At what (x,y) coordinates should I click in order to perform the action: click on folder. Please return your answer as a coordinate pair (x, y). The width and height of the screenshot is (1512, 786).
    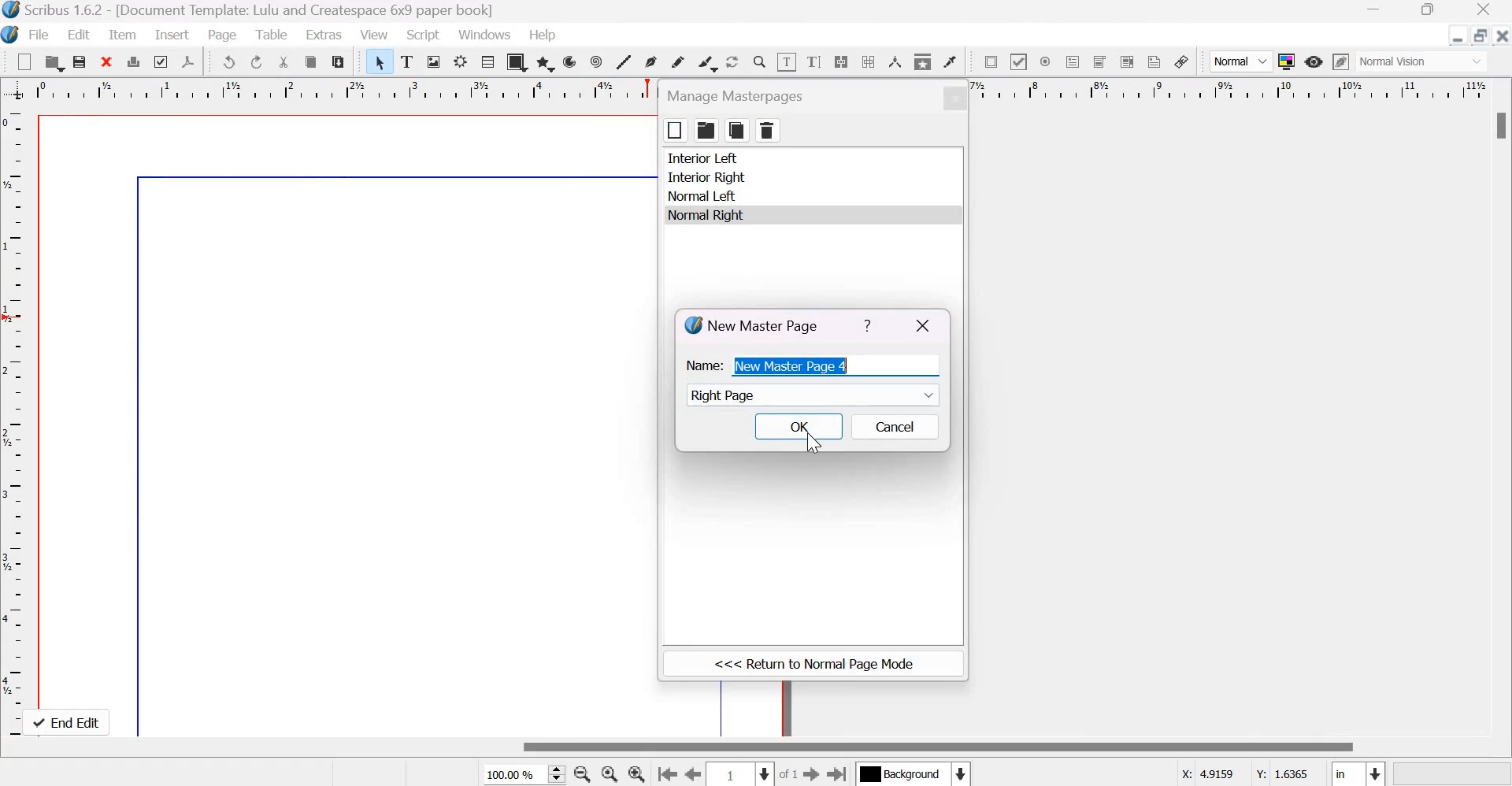
    Looking at the image, I should click on (706, 130).